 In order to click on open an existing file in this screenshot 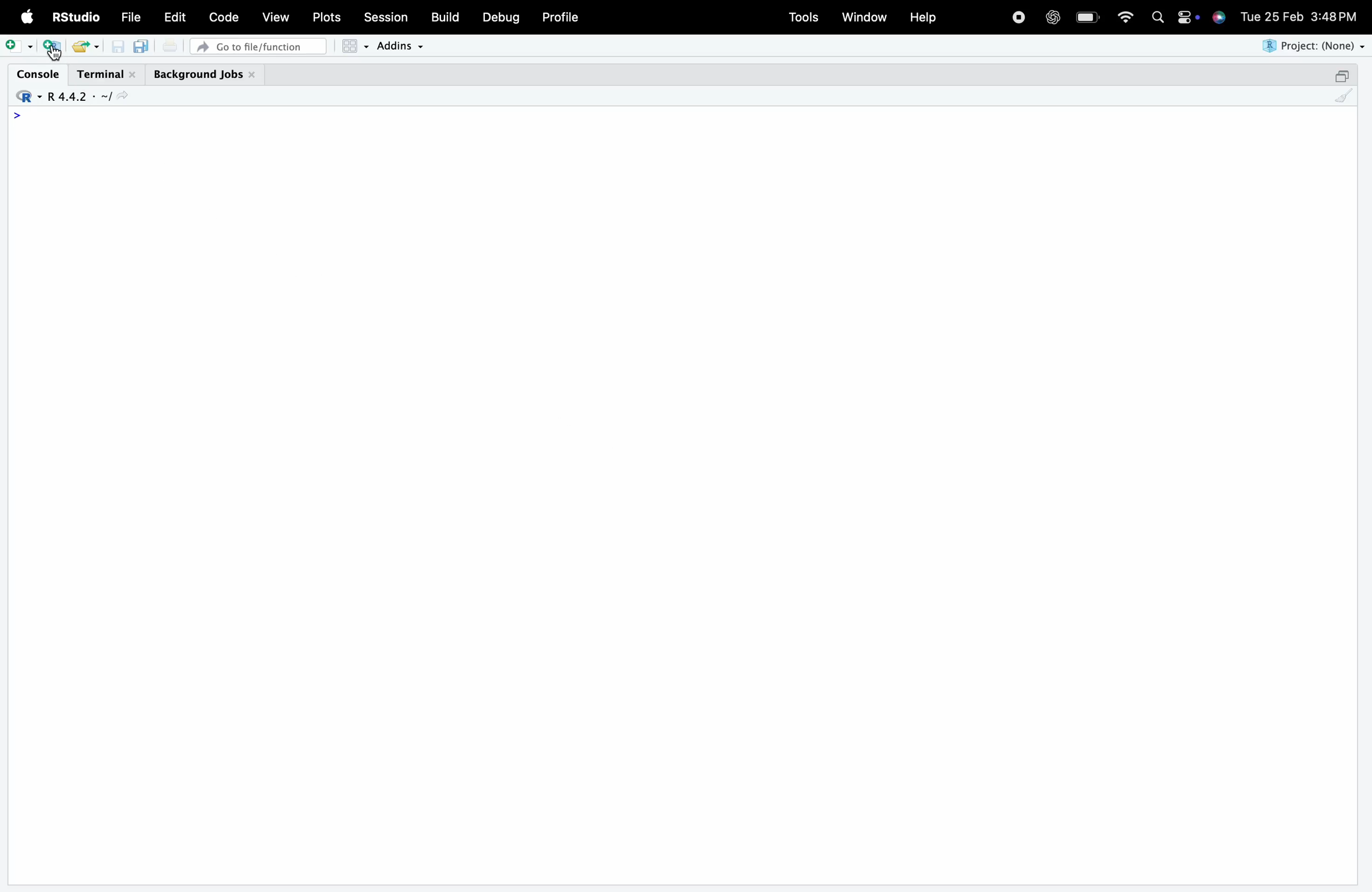, I will do `click(79, 47)`.